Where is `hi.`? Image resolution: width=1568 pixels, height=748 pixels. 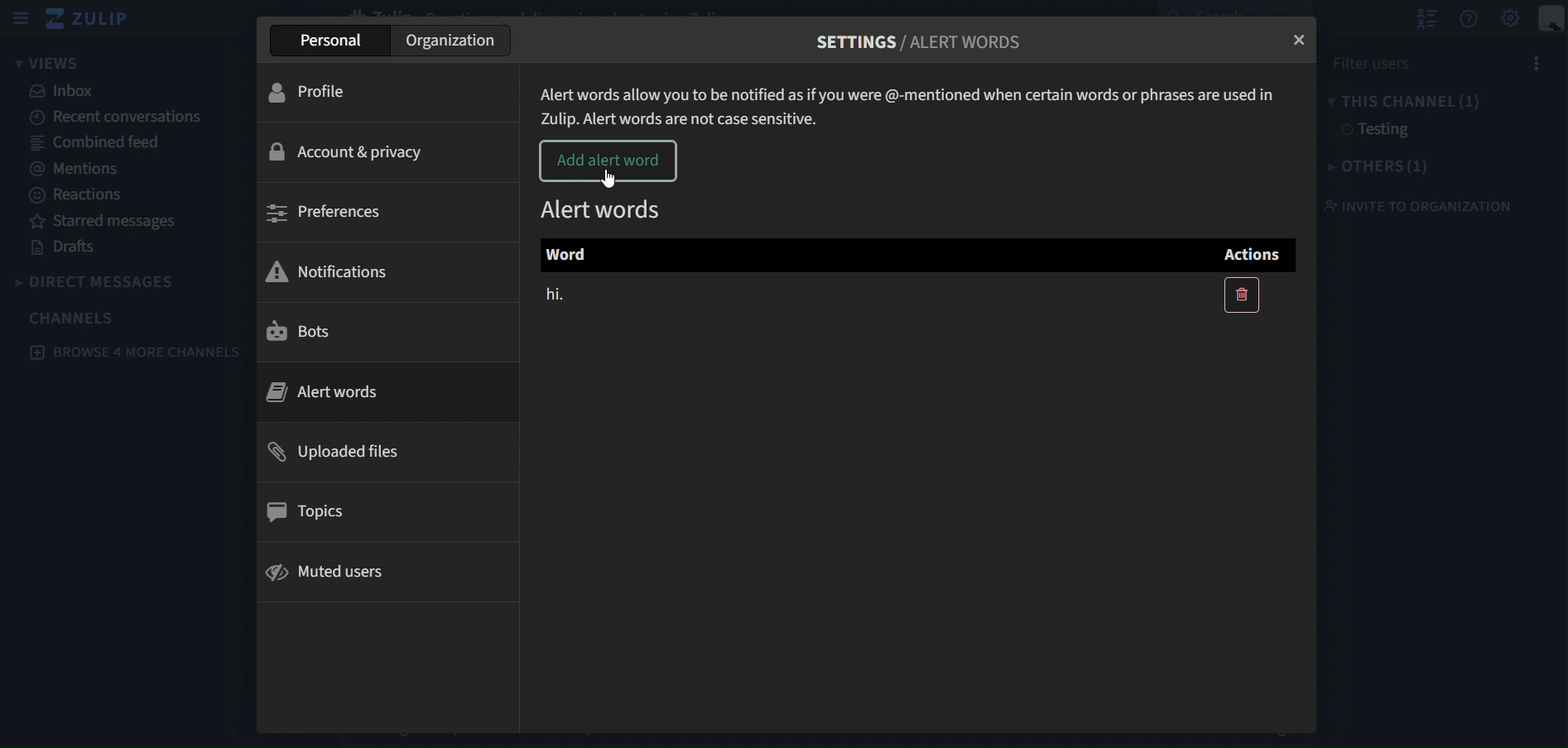
hi. is located at coordinates (576, 293).